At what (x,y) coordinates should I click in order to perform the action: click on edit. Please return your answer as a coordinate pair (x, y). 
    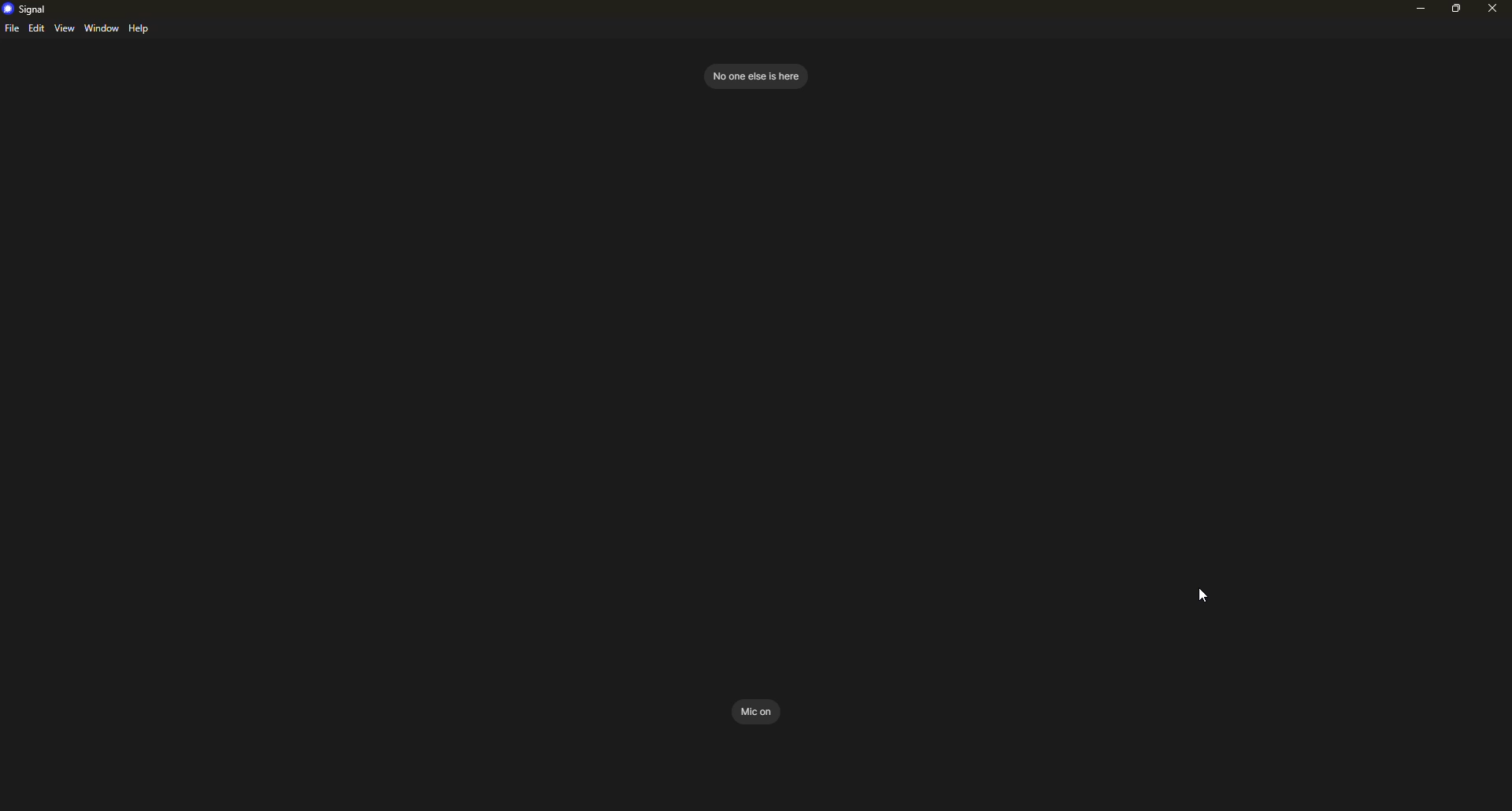
    Looking at the image, I should click on (36, 29).